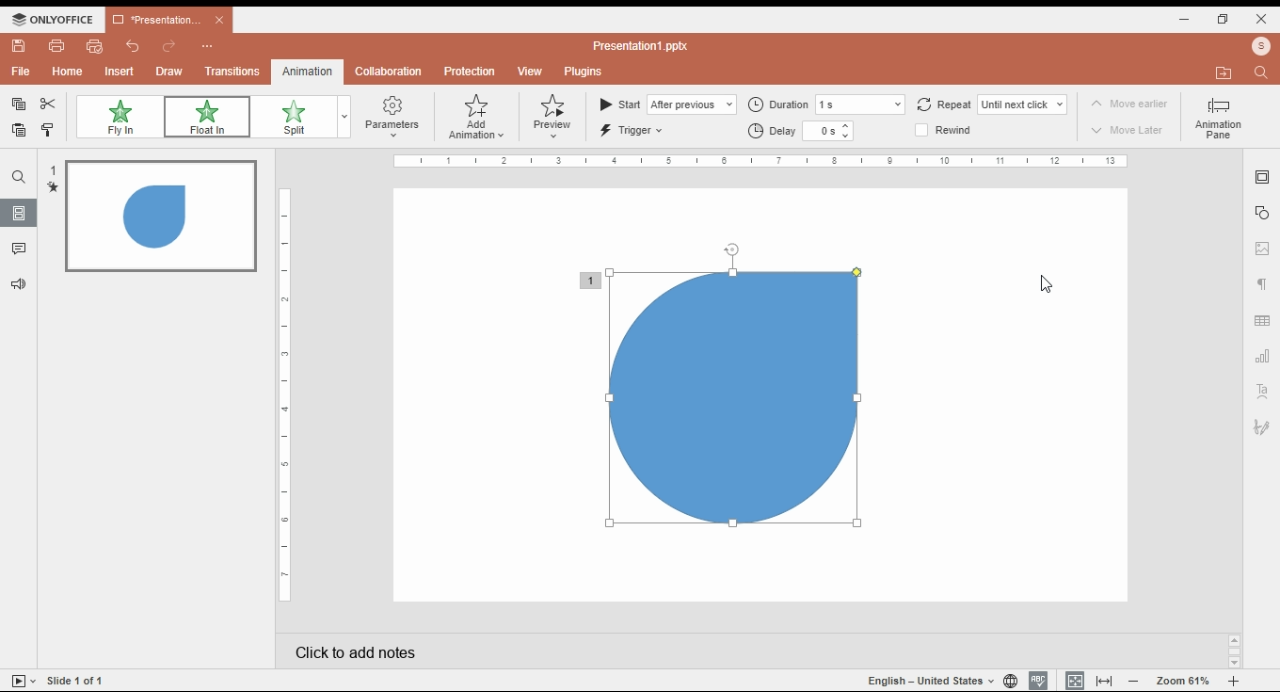 This screenshot has height=692, width=1280. I want to click on insert, so click(120, 71).